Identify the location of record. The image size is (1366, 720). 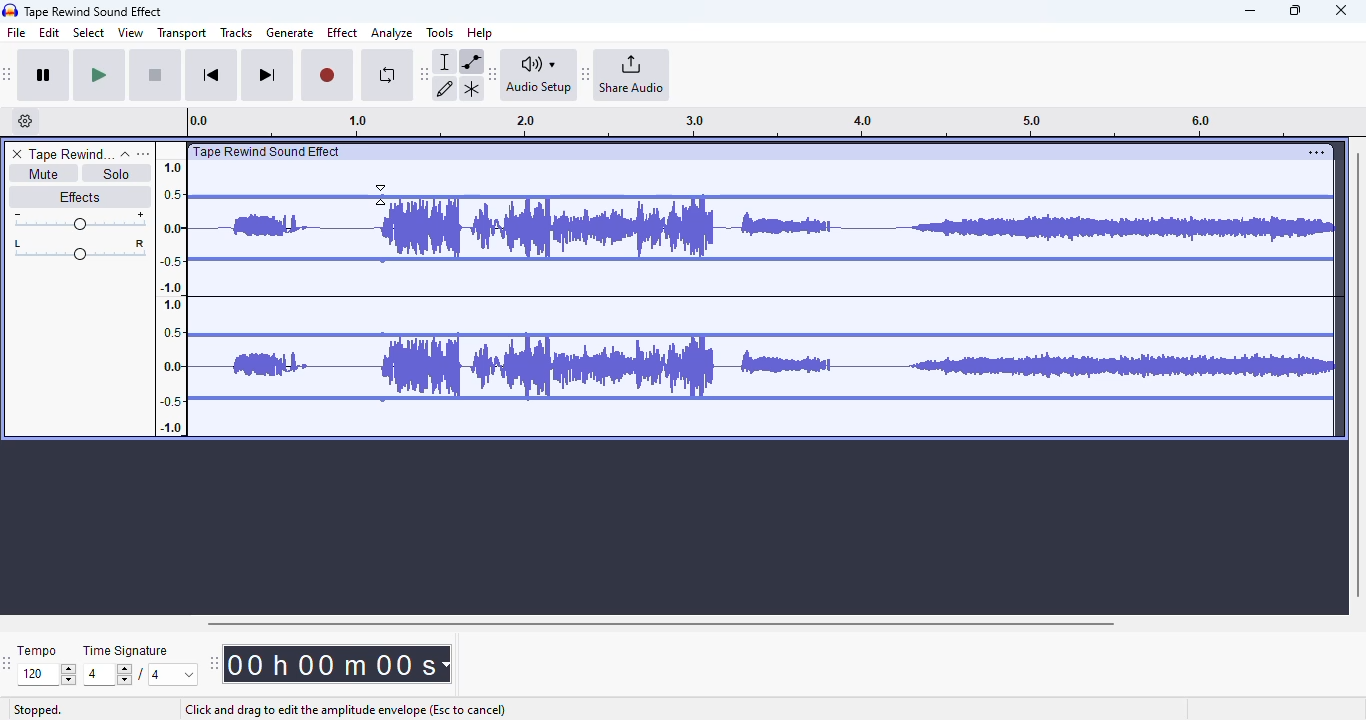
(327, 76).